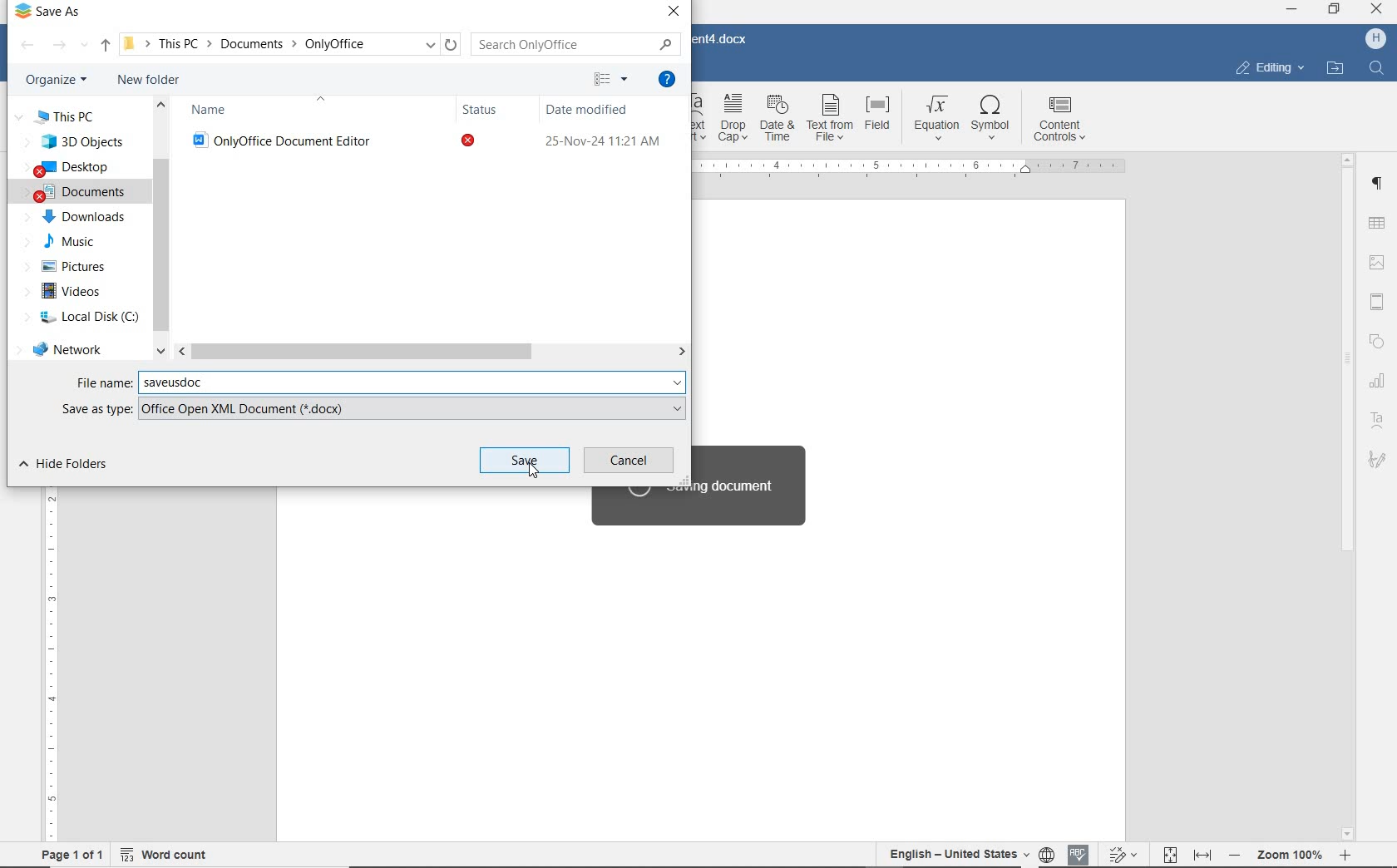  What do you see at coordinates (669, 79) in the screenshot?
I see `get help` at bounding box center [669, 79].